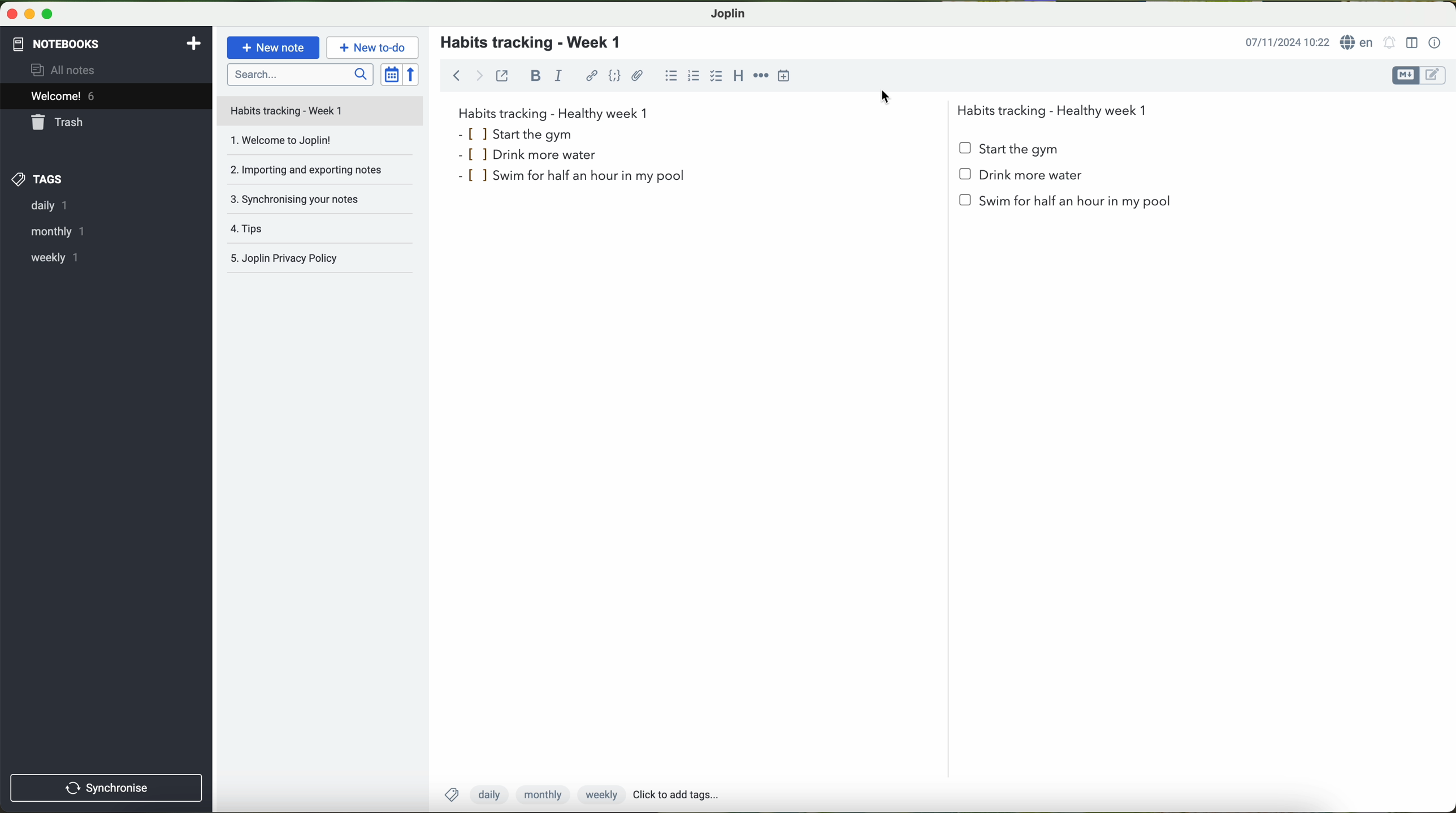 The height and width of the screenshot is (813, 1456). I want to click on swim for half an hour in my pool, so click(574, 178).